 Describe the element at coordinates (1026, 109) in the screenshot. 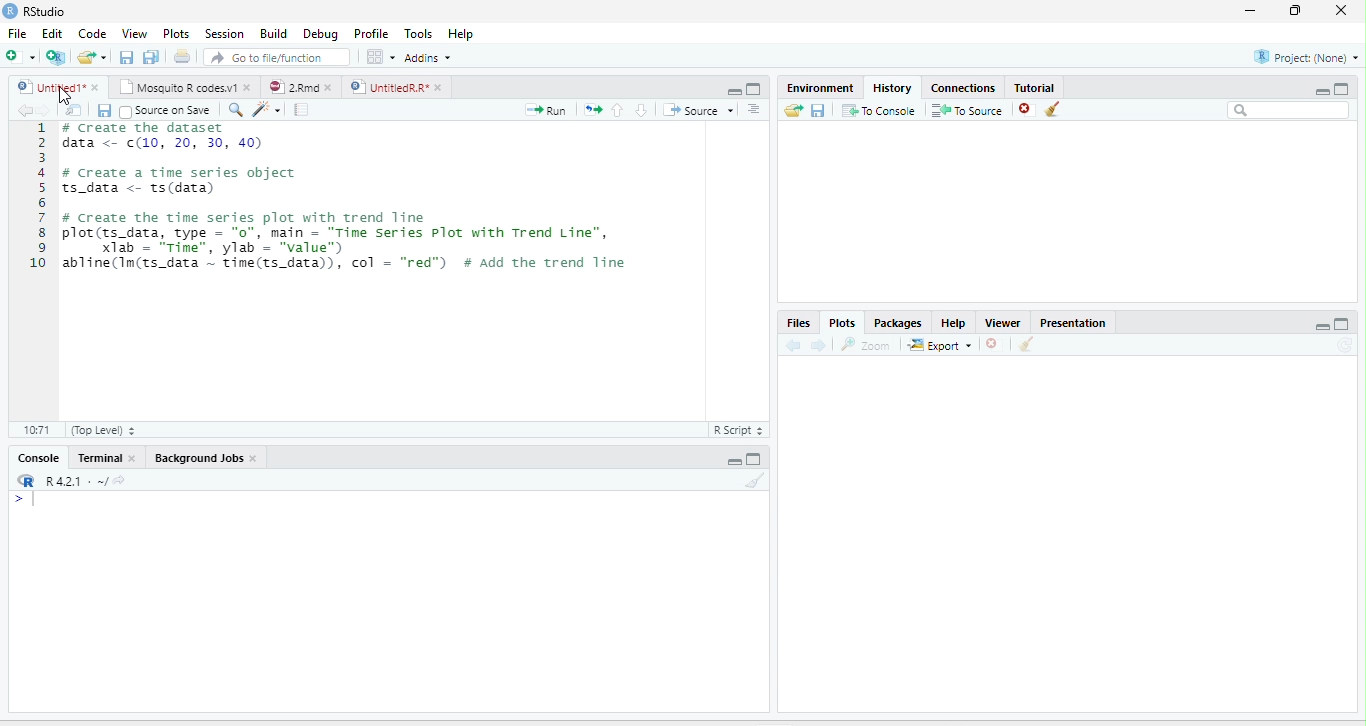

I see `Remove the selected history entries` at that location.